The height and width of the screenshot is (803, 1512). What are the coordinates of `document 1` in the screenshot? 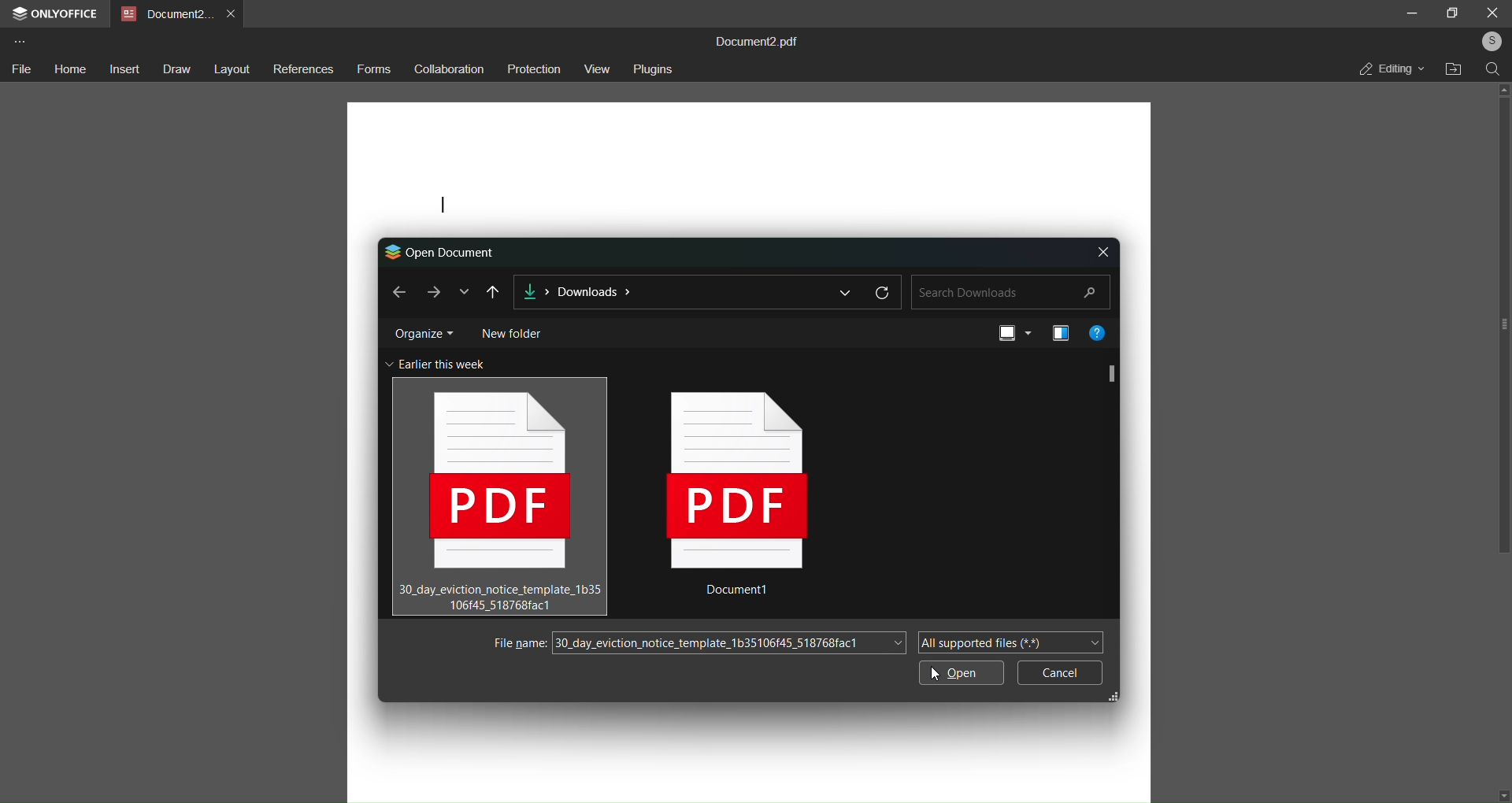 It's located at (745, 502).